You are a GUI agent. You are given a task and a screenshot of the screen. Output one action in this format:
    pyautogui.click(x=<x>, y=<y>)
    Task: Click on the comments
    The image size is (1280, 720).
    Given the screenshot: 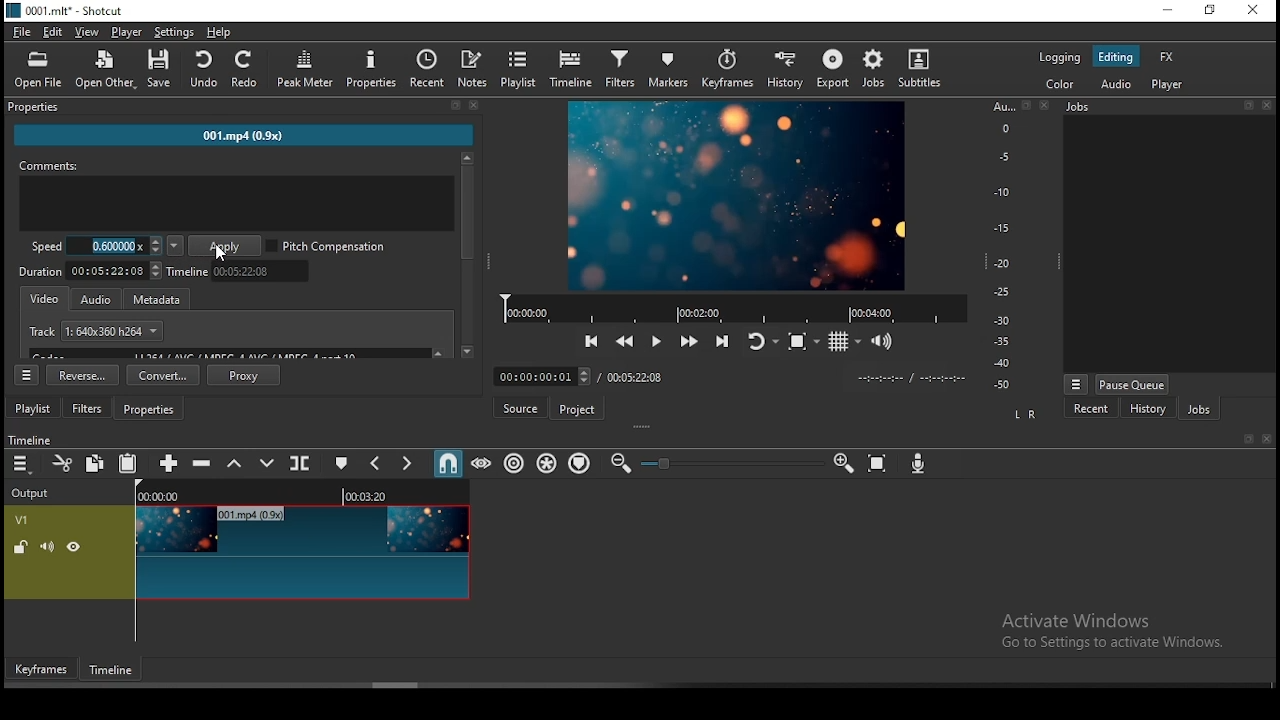 What is the action you would take?
    pyautogui.click(x=235, y=166)
    